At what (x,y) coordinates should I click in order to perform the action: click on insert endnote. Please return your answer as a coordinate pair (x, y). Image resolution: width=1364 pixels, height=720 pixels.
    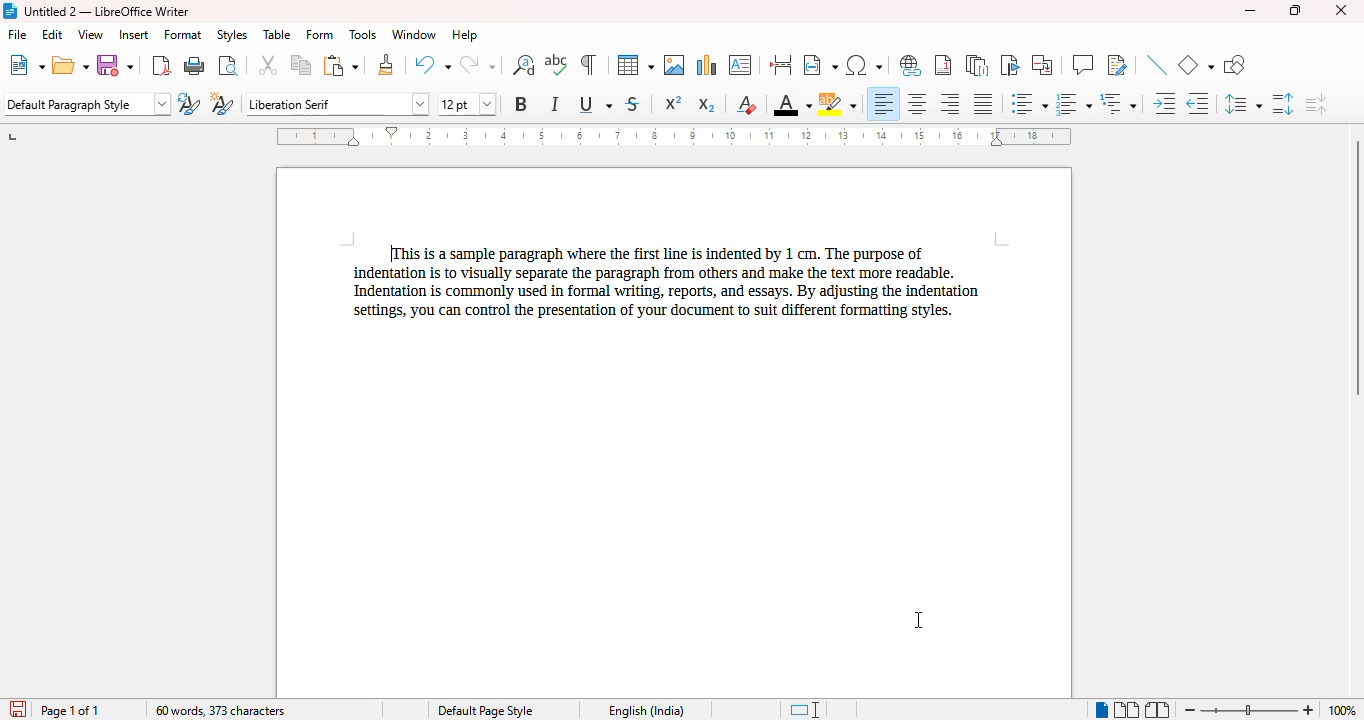
    Looking at the image, I should click on (977, 65).